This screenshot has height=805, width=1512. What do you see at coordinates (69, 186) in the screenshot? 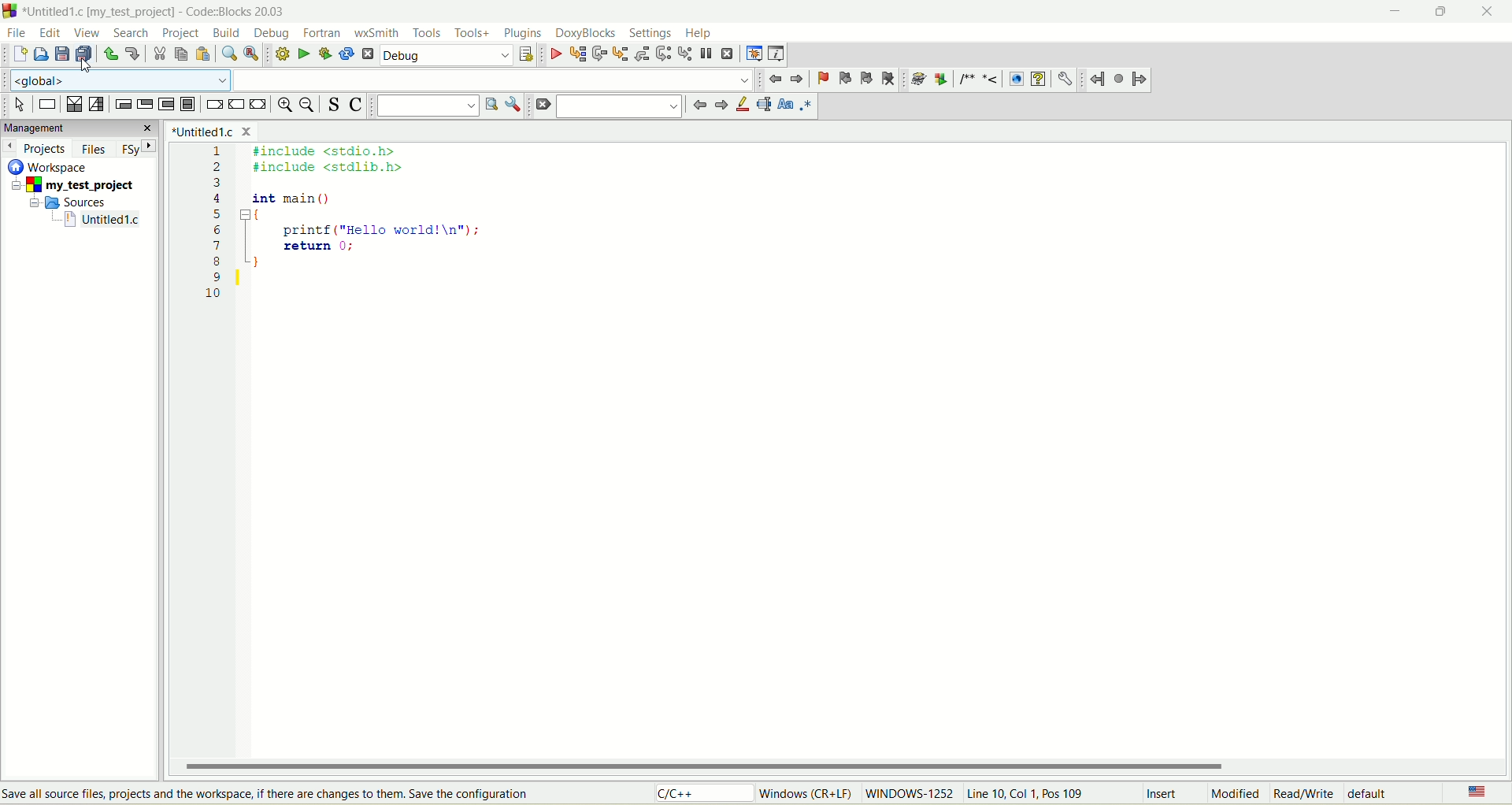
I see `my test project` at bounding box center [69, 186].